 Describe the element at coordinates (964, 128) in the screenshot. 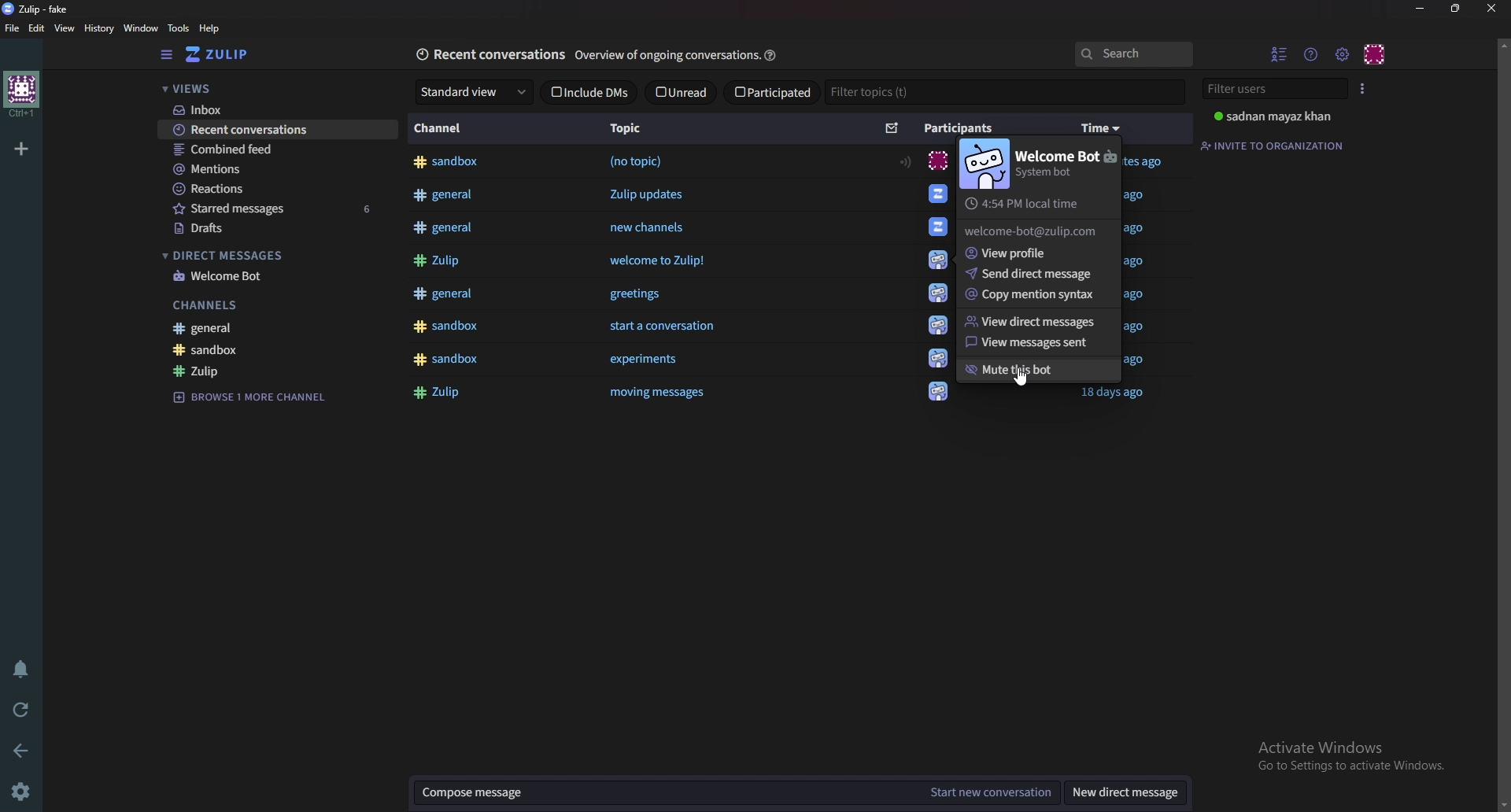

I see `Participants` at that location.